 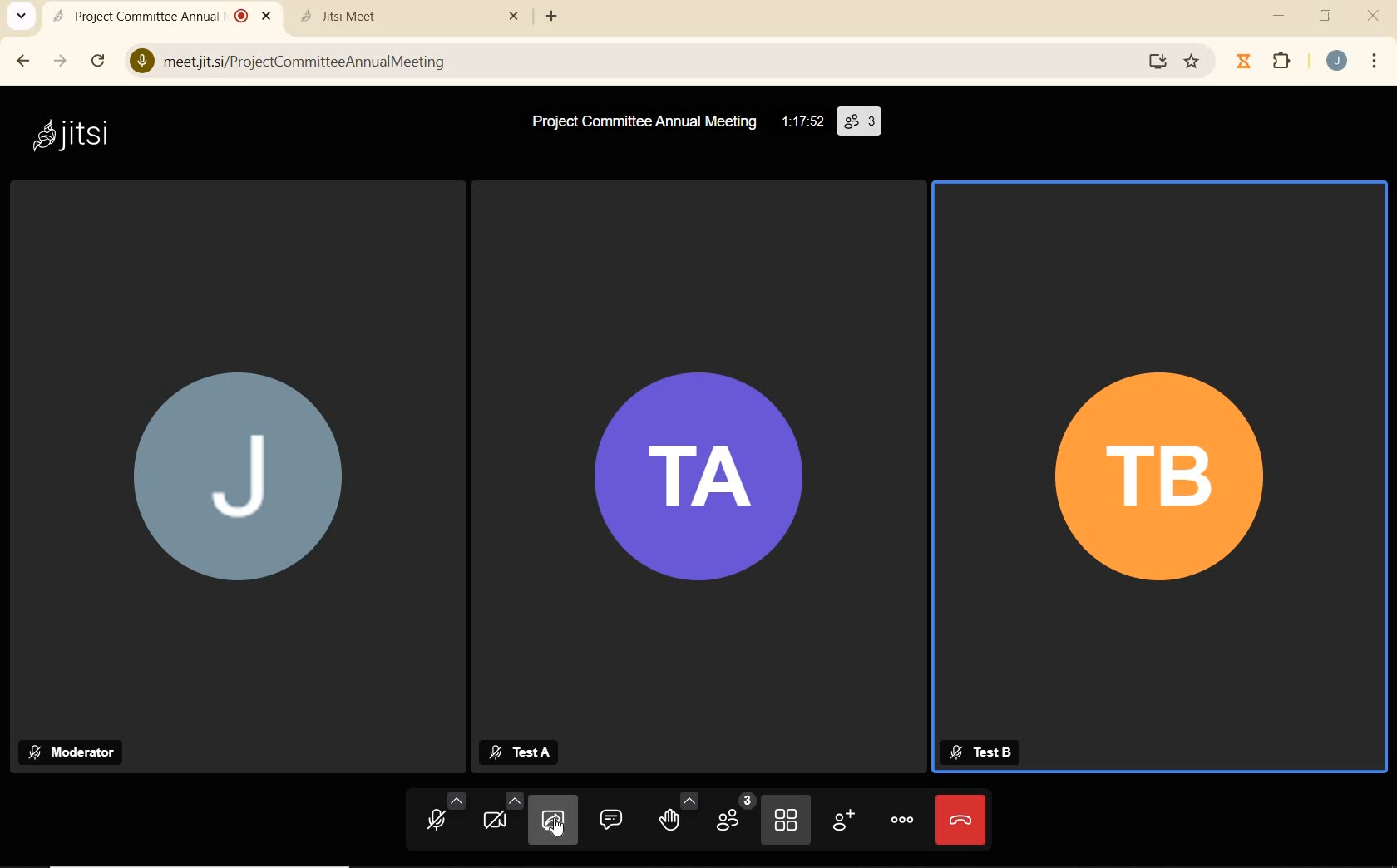 What do you see at coordinates (412, 16) in the screenshot?
I see `Jitsi Meet` at bounding box center [412, 16].